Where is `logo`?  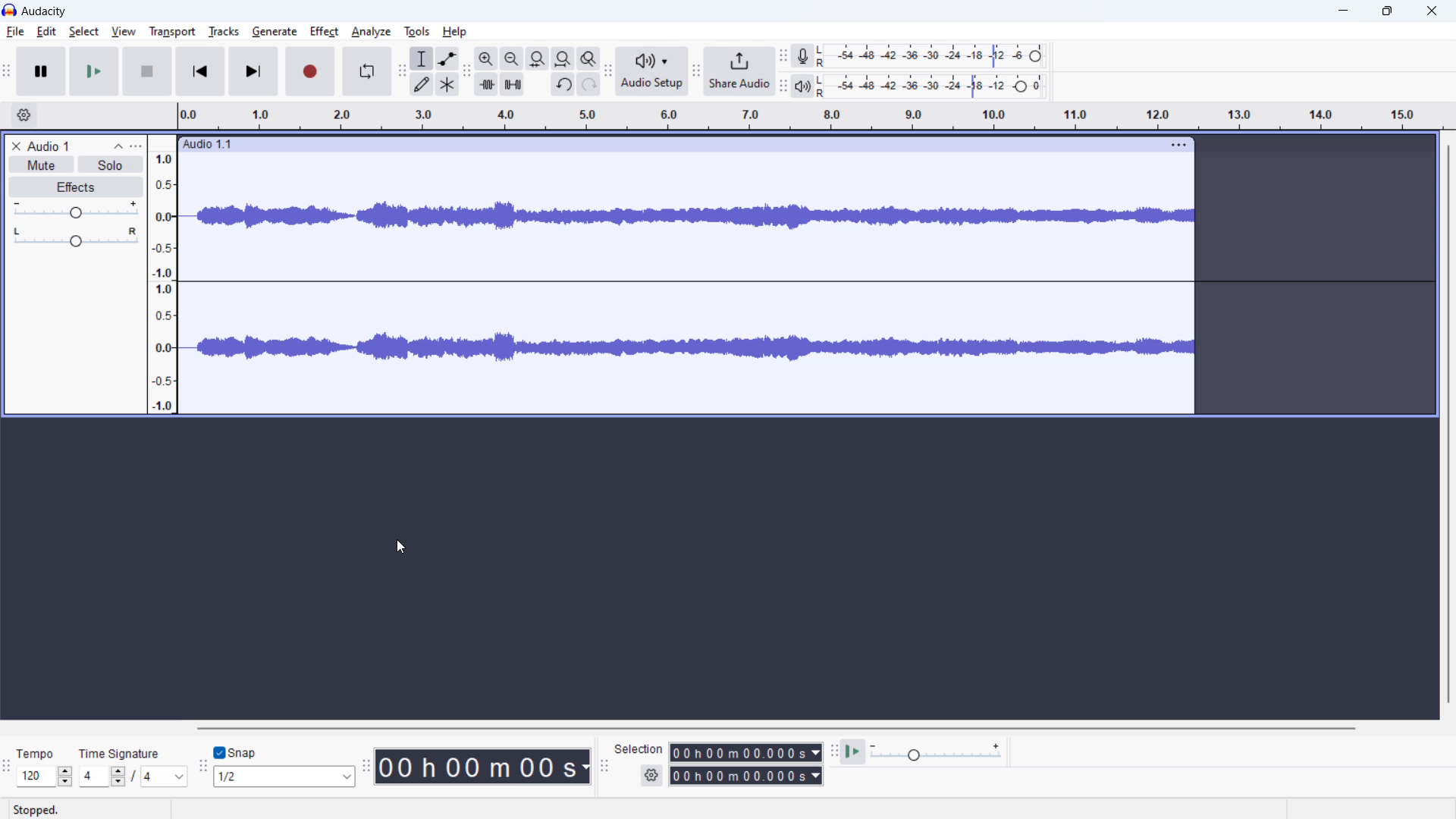
logo is located at coordinates (44, 11).